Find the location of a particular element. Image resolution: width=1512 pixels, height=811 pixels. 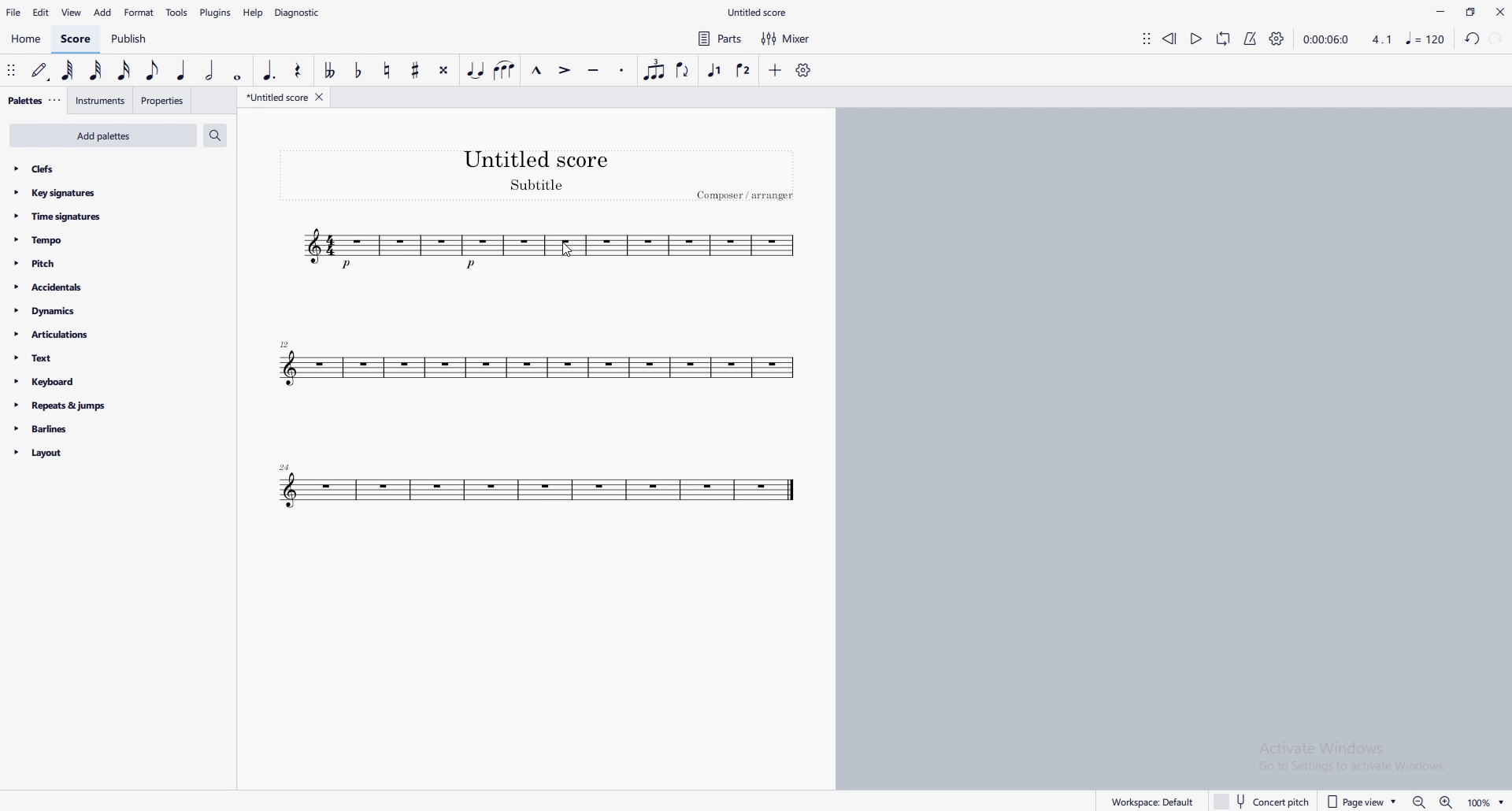

4.1 is located at coordinates (1380, 38).